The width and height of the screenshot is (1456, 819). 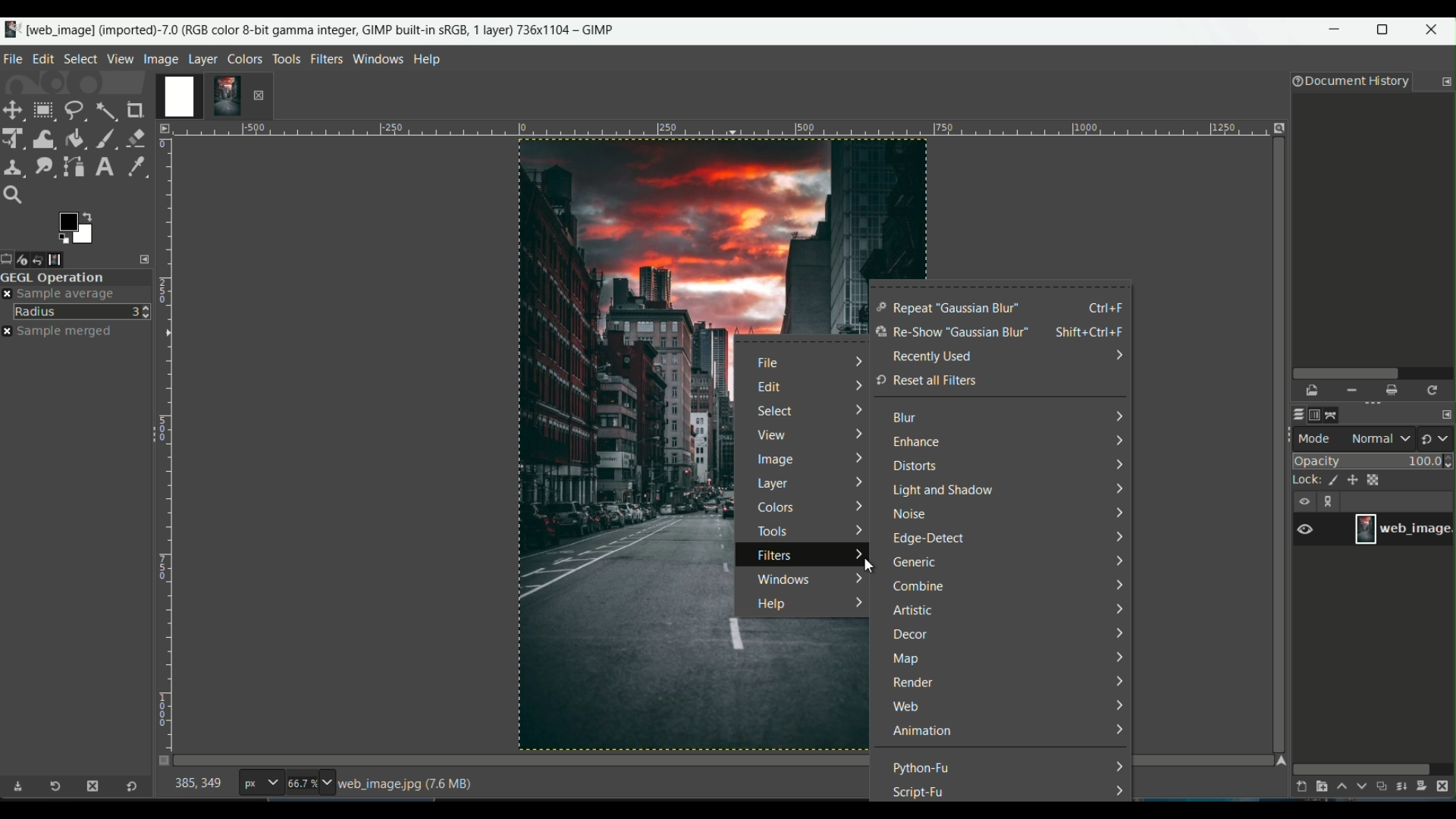 What do you see at coordinates (1298, 786) in the screenshot?
I see `create new layer` at bounding box center [1298, 786].